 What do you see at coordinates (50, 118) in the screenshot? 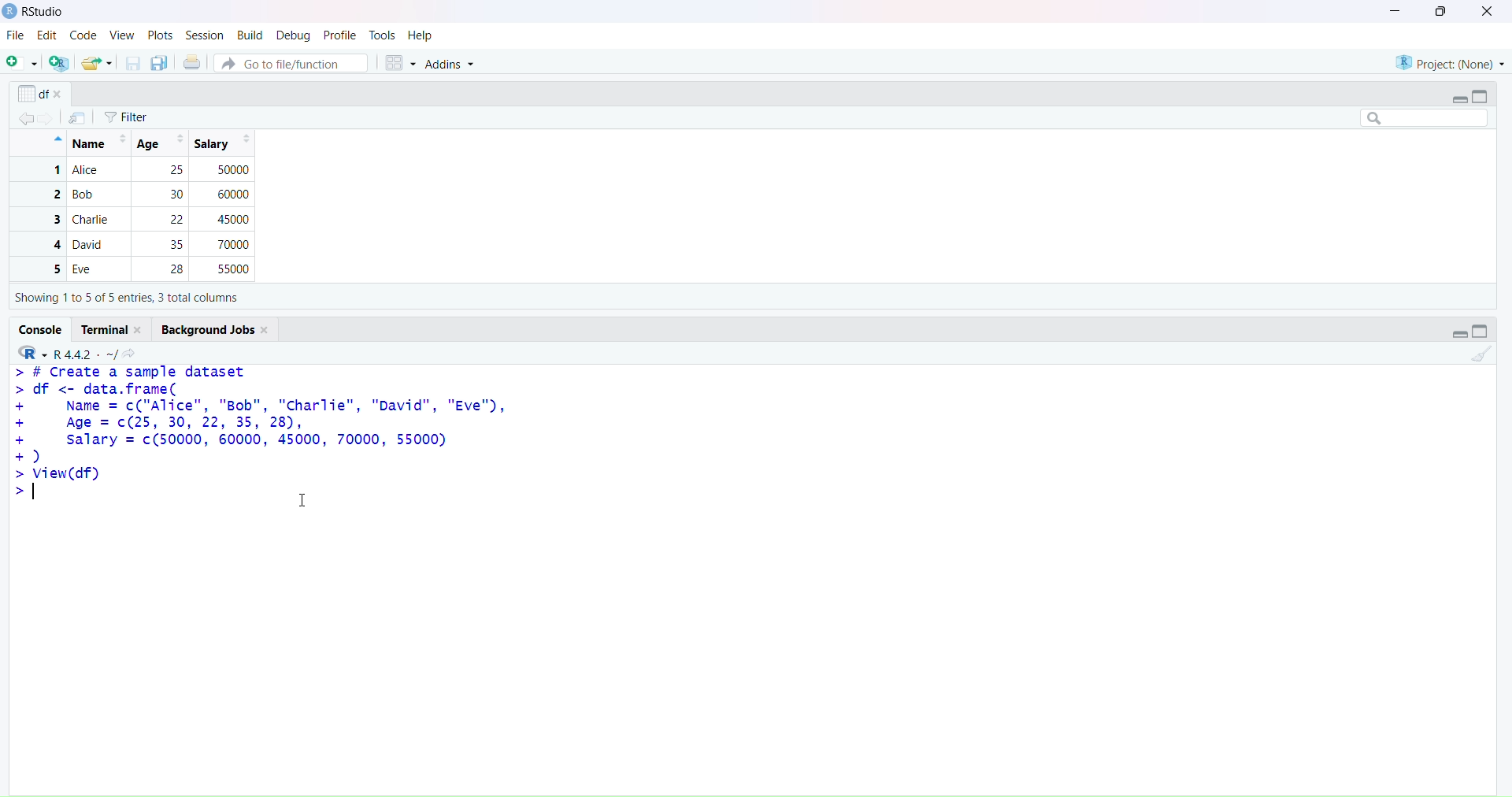
I see `forward` at bounding box center [50, 118].